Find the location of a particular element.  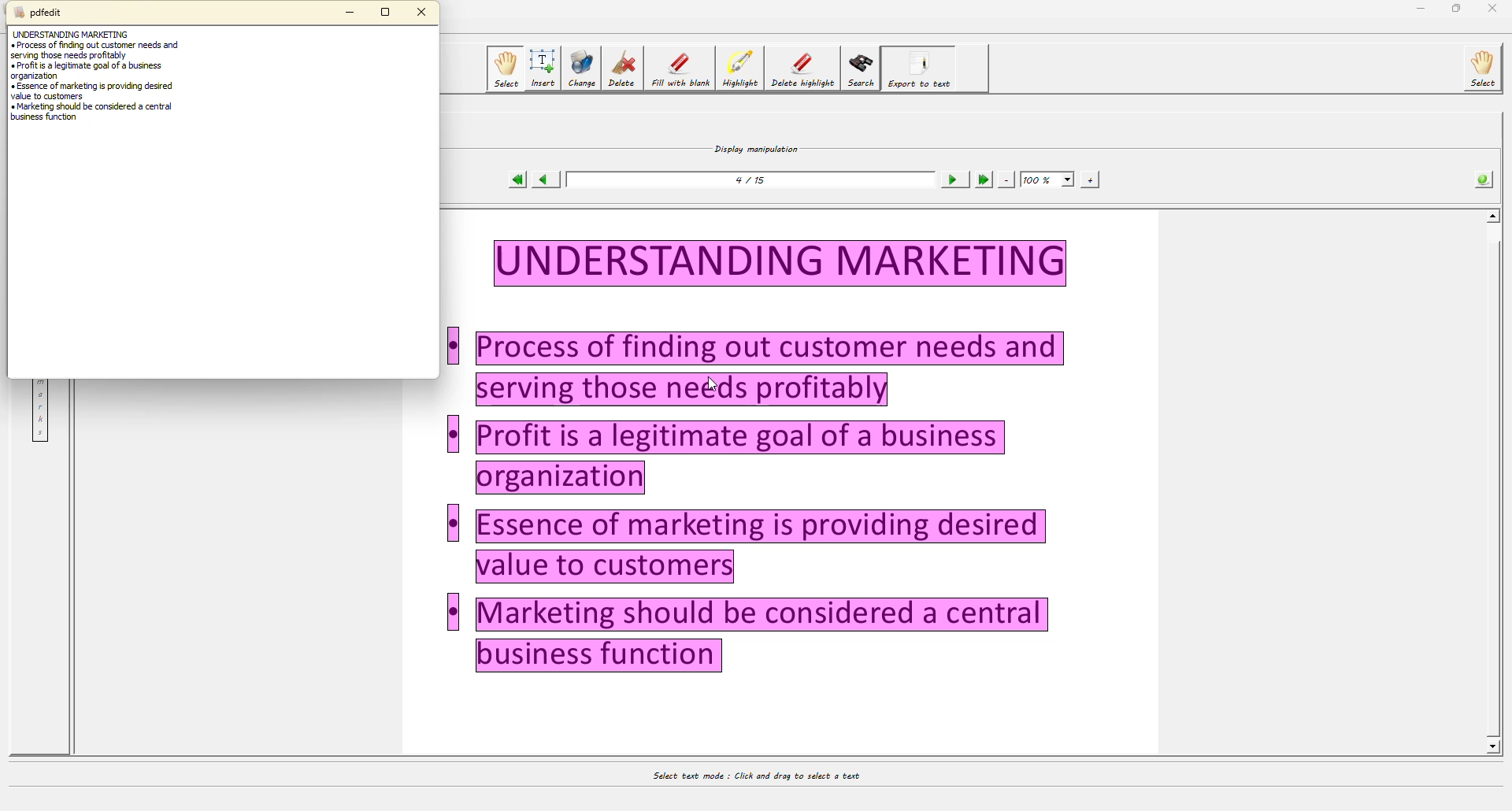

minimize is located at coordinates (350, 11).